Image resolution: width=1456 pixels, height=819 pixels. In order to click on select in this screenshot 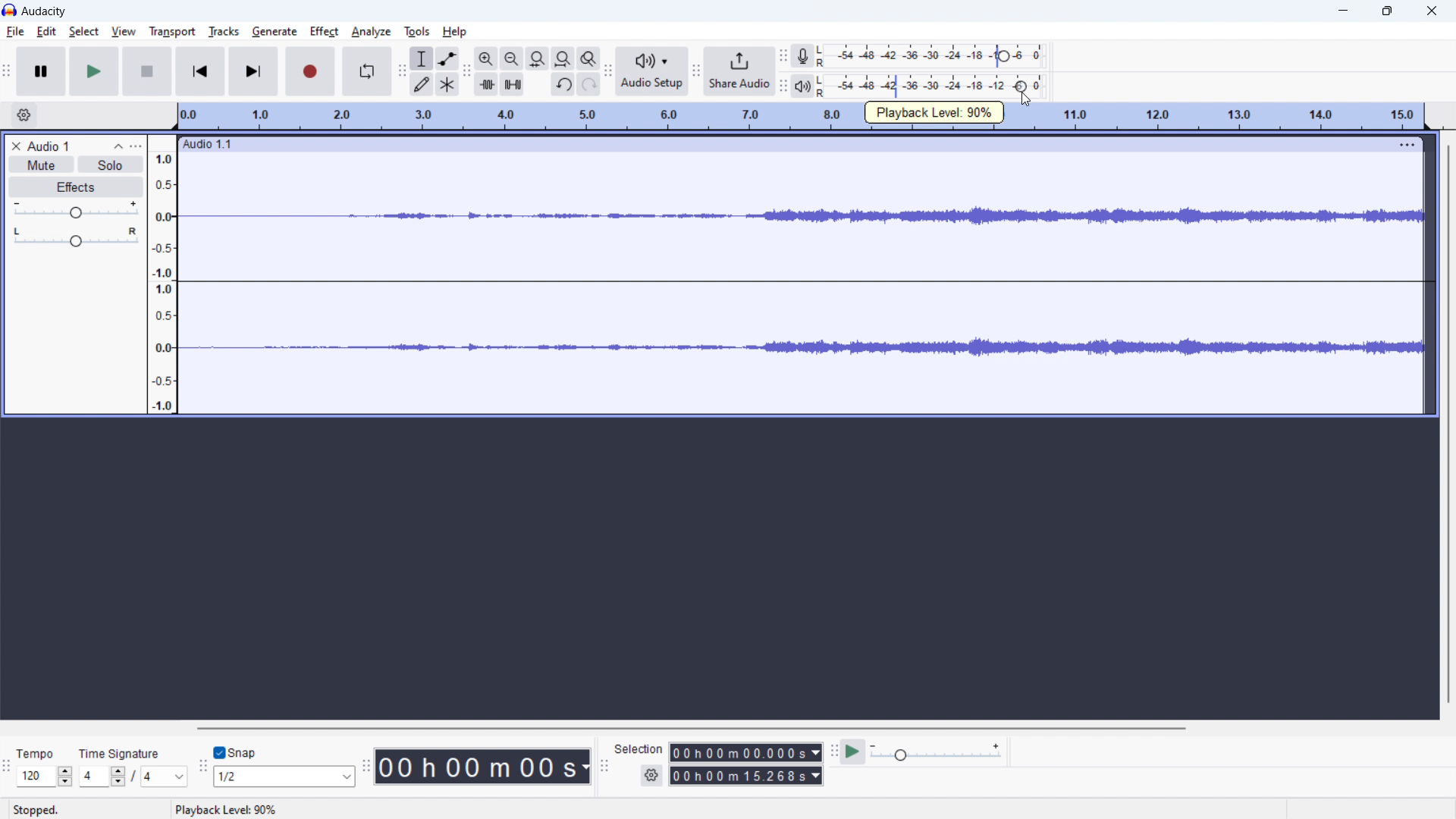, I will do `click(84, 31)`.